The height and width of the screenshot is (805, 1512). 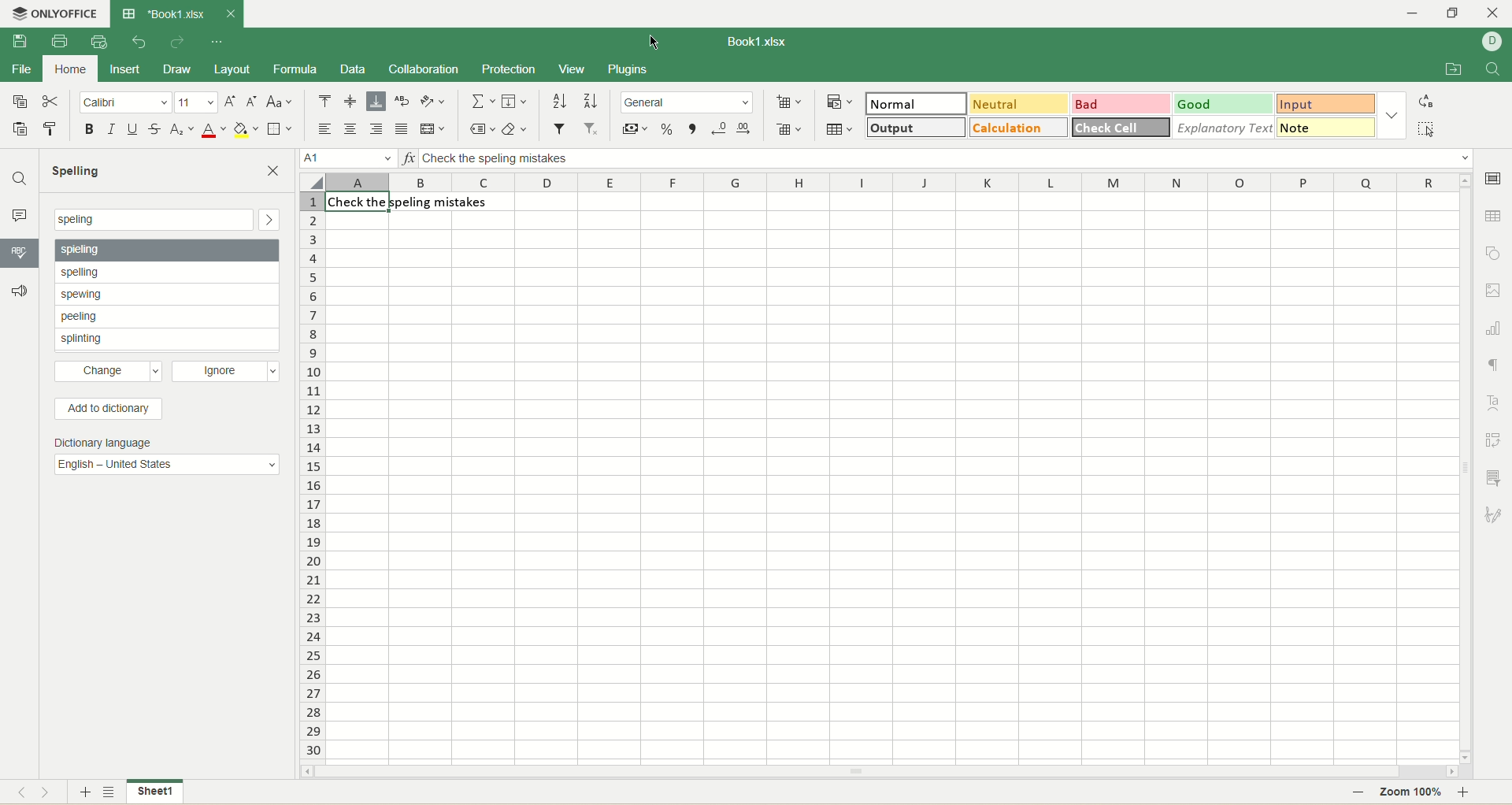 I want to click on new sheet, so click(x=87, y=793).